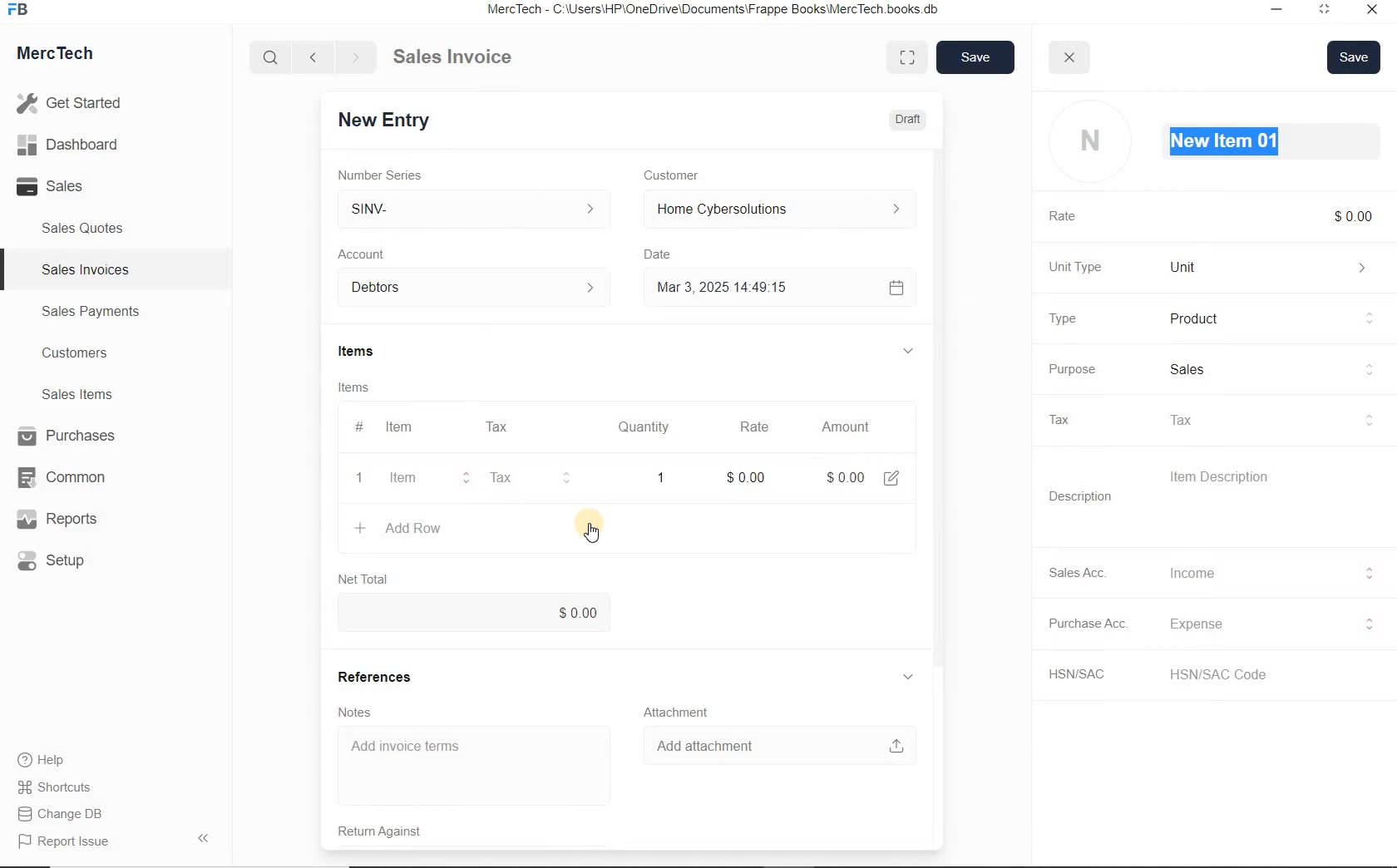 The image size is (1397, 868). I want to click on Help, so click(50, 760).